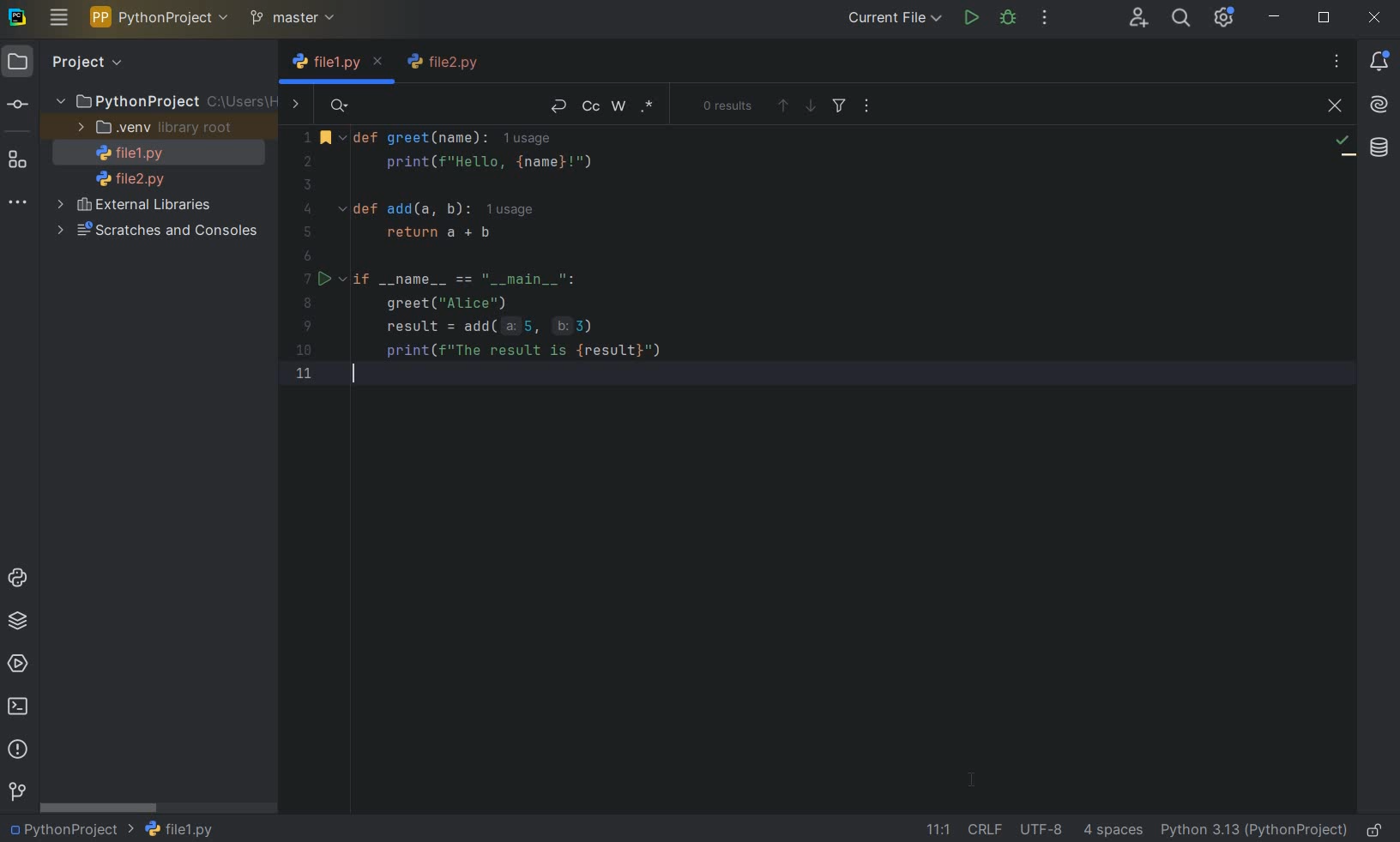  Describe the element at coordinates (295, 19) in the screenshot. I see `MASTER` at that location.